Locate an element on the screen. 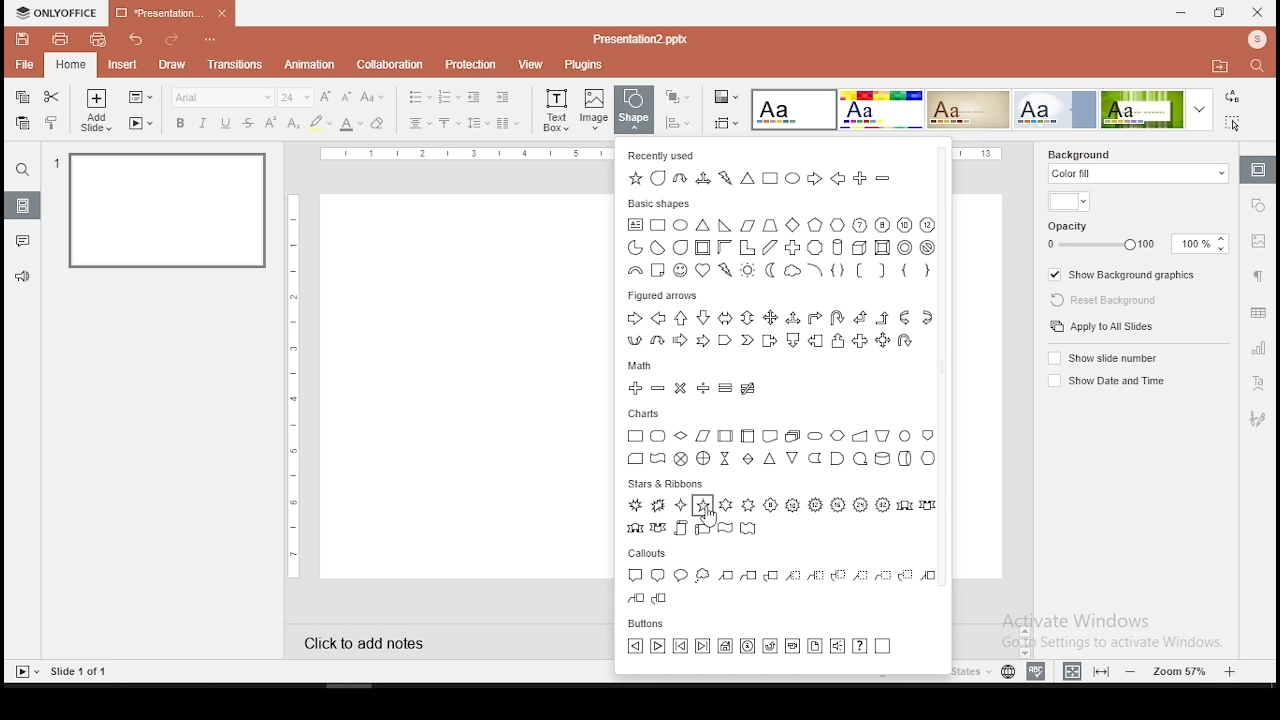 Image resolution: width=1280 pixels, height=720 pixels. Cutouts is located at coordinates (778, 584).